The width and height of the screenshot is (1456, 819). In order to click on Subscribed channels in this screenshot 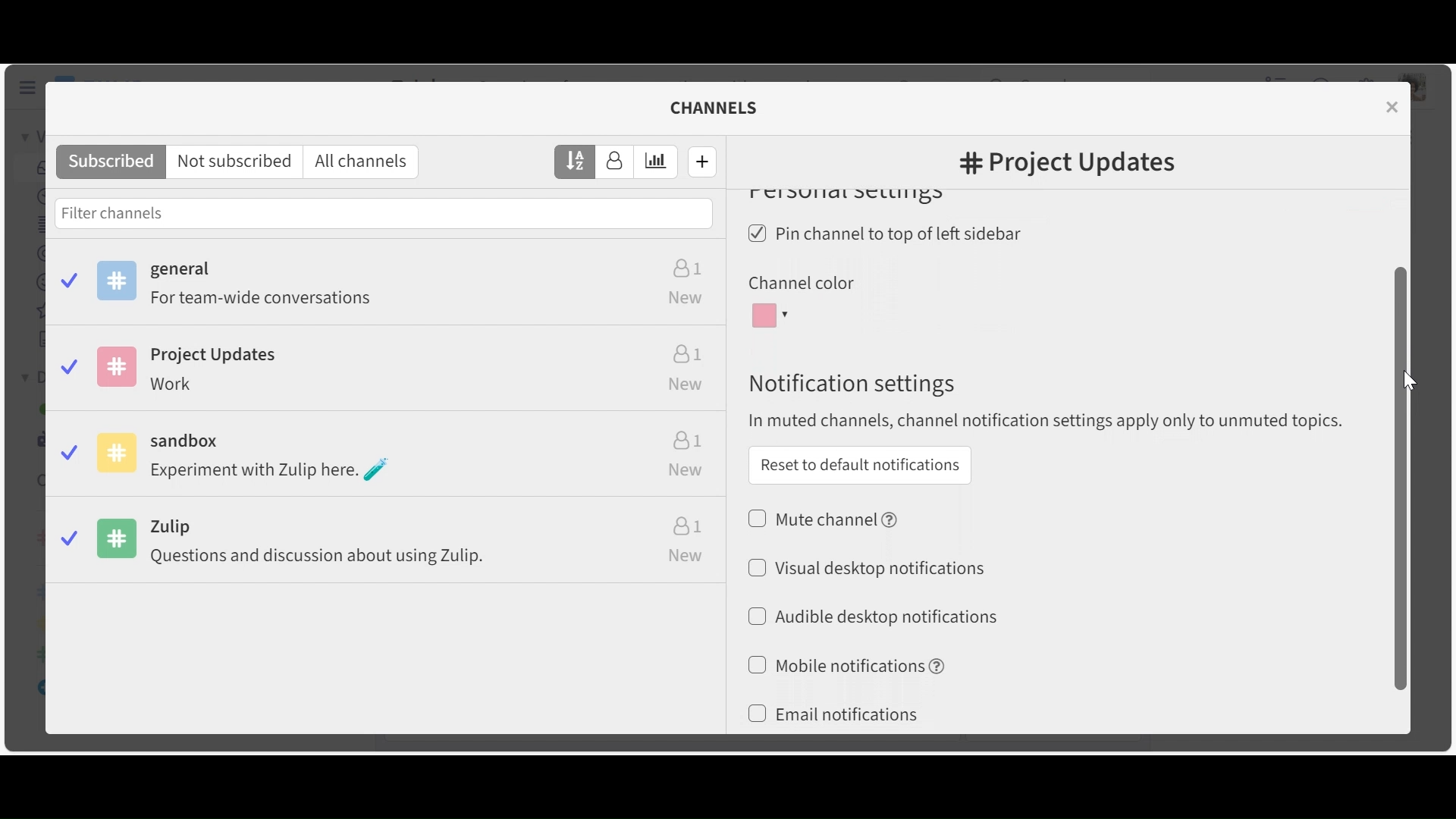, I will do `click(111, 162)`.